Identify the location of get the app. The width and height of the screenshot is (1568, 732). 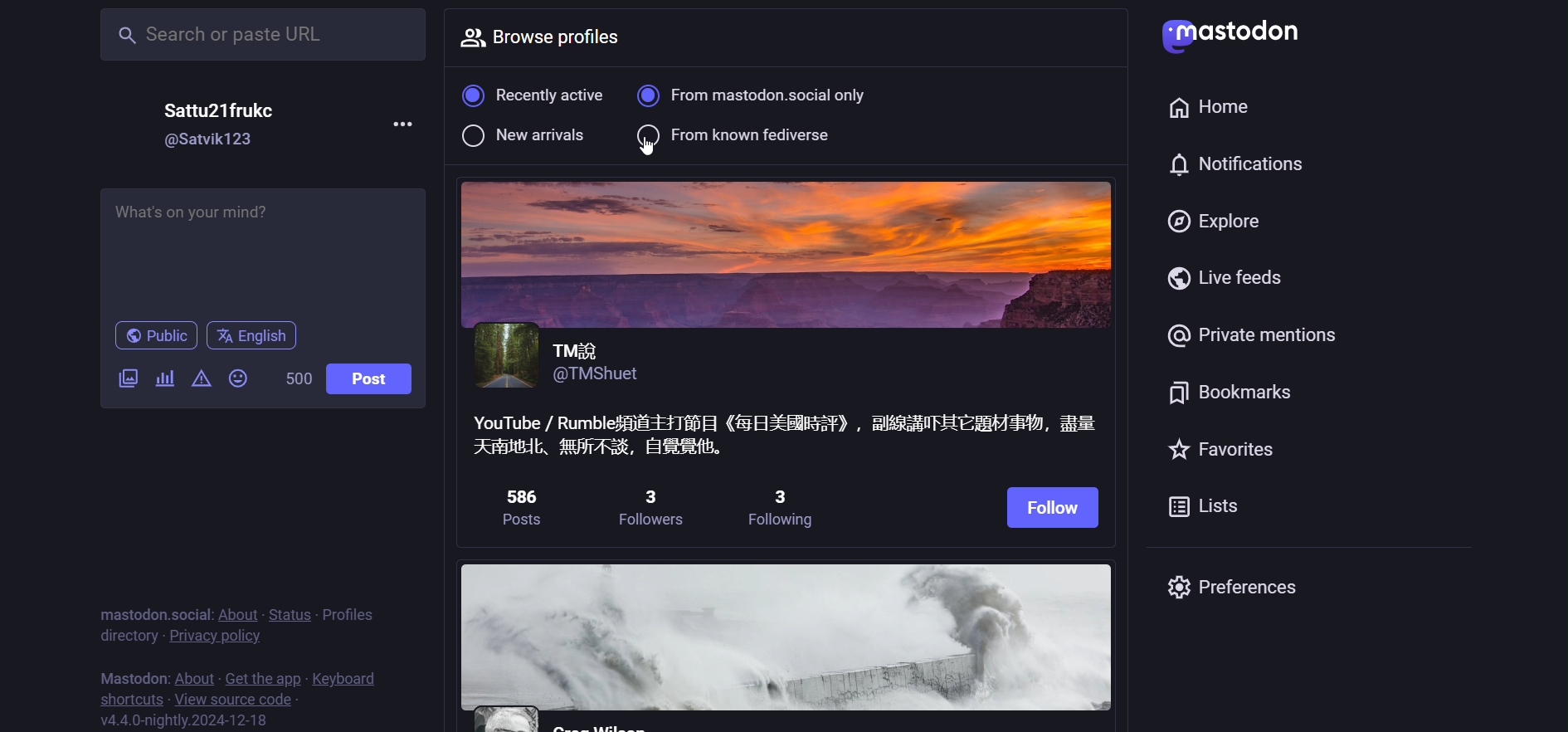
(262, 675).